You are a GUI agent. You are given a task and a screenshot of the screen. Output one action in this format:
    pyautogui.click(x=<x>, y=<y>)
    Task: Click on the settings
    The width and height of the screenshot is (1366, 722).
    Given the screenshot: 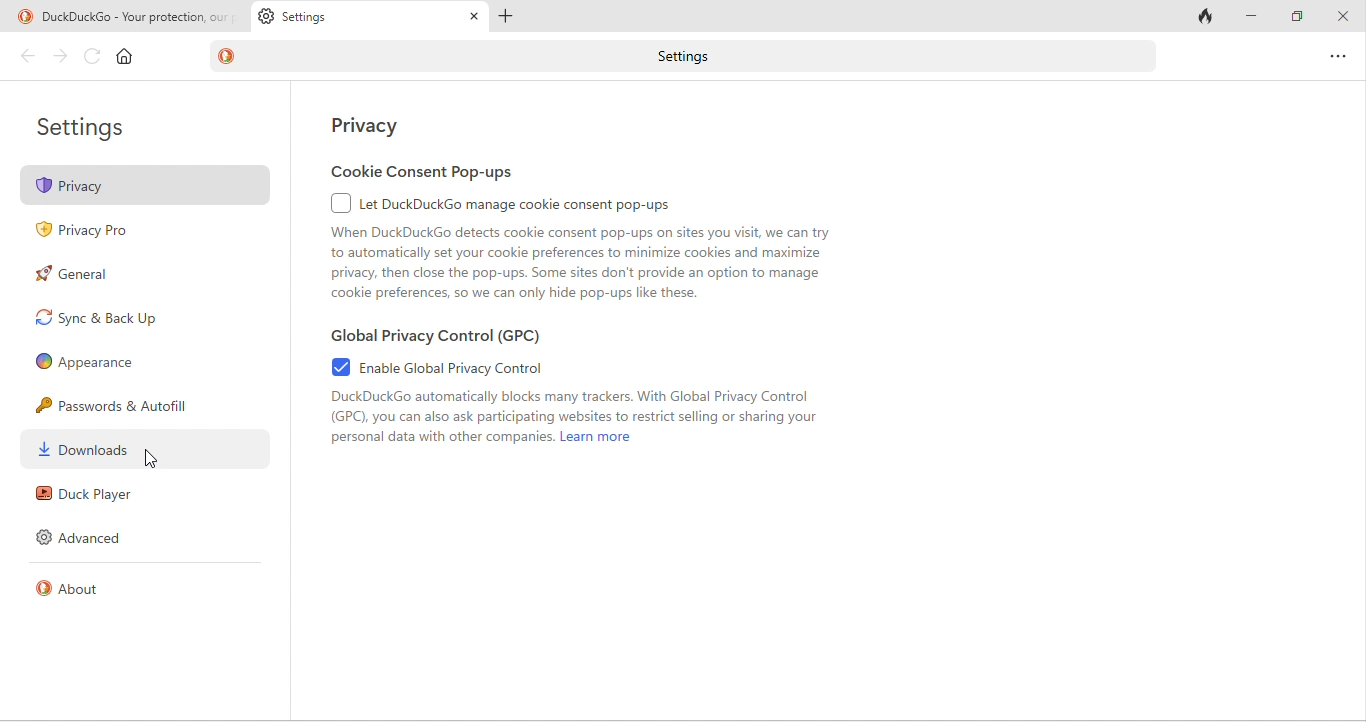 What is the action you would take?
    pyautogui.click(x=93, y=126)
    